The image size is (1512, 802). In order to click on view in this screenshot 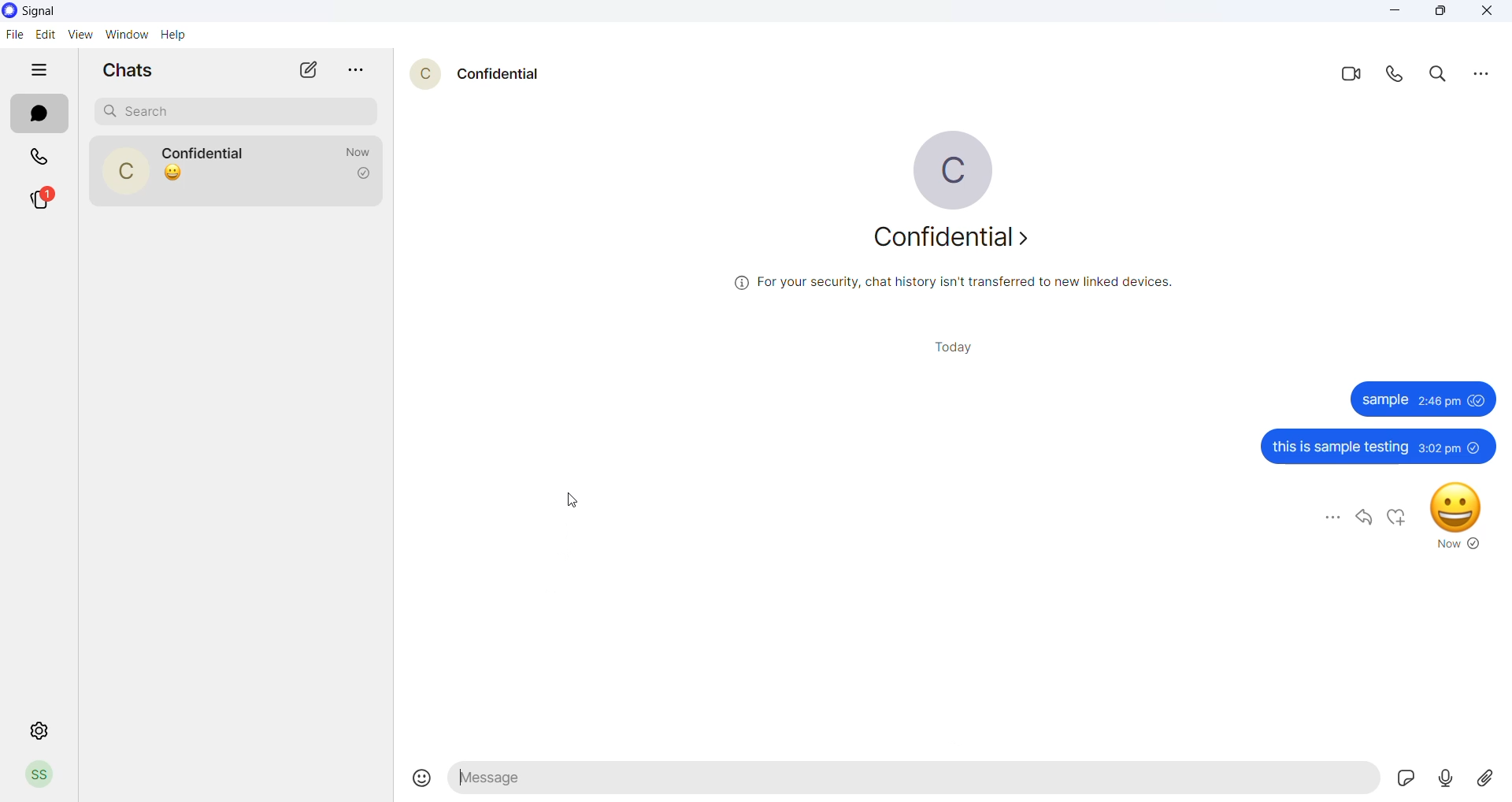, I will do `click(84, 34)`.